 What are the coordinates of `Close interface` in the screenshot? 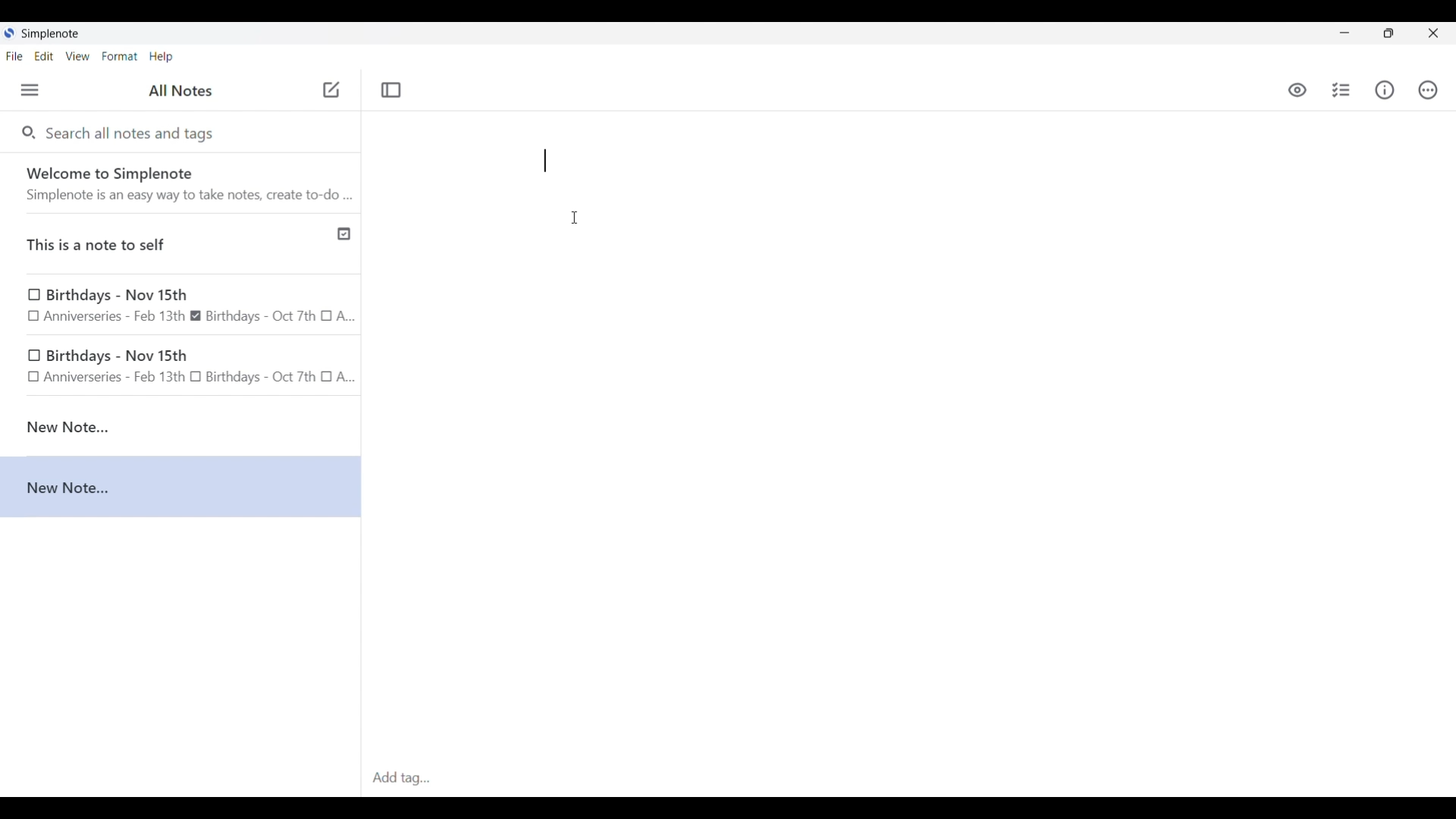 It's located at (1433, 33).